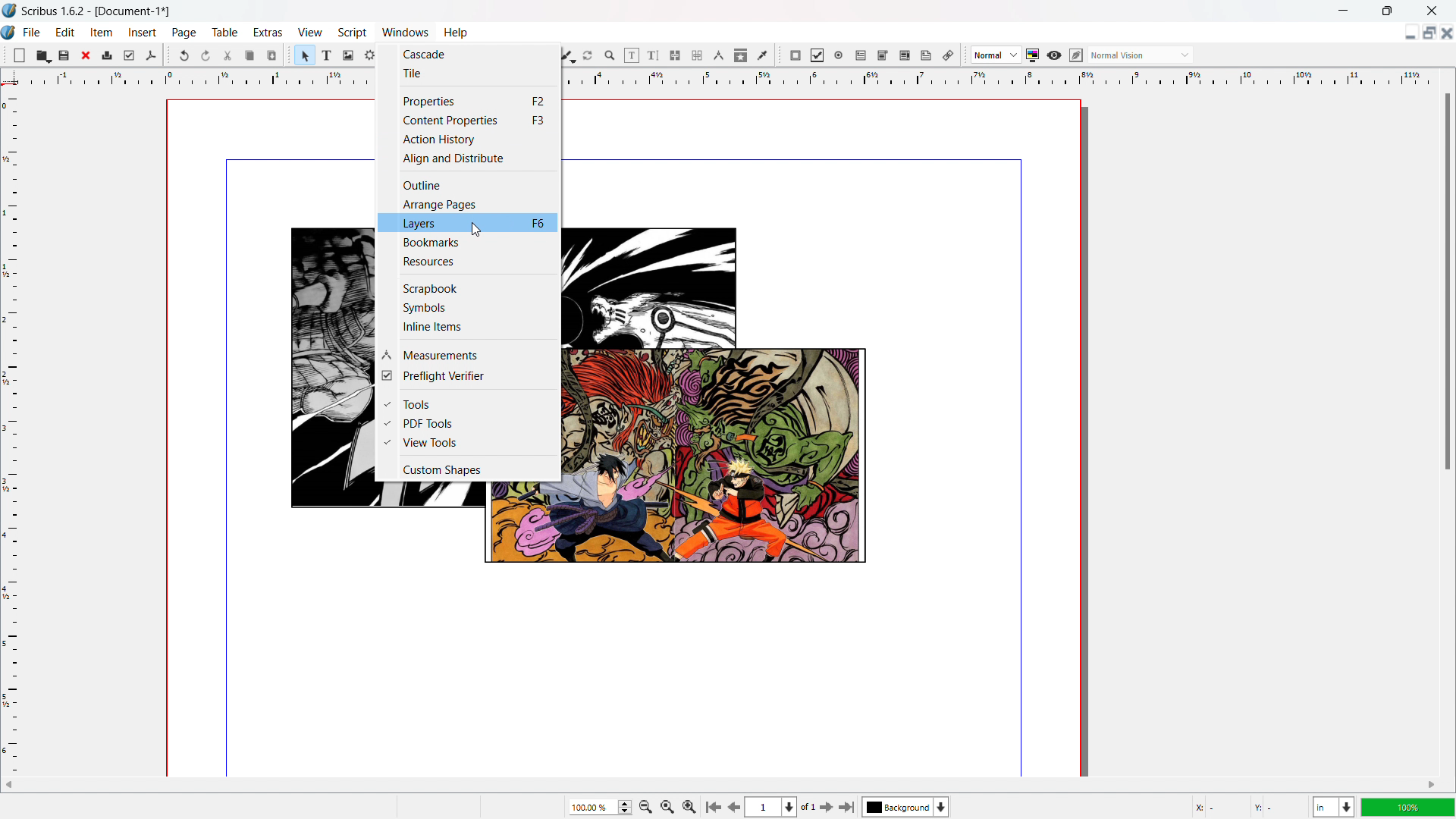 The height and width of the screenshot is (819, 1456). I want to click on paste, so click(272, 55).